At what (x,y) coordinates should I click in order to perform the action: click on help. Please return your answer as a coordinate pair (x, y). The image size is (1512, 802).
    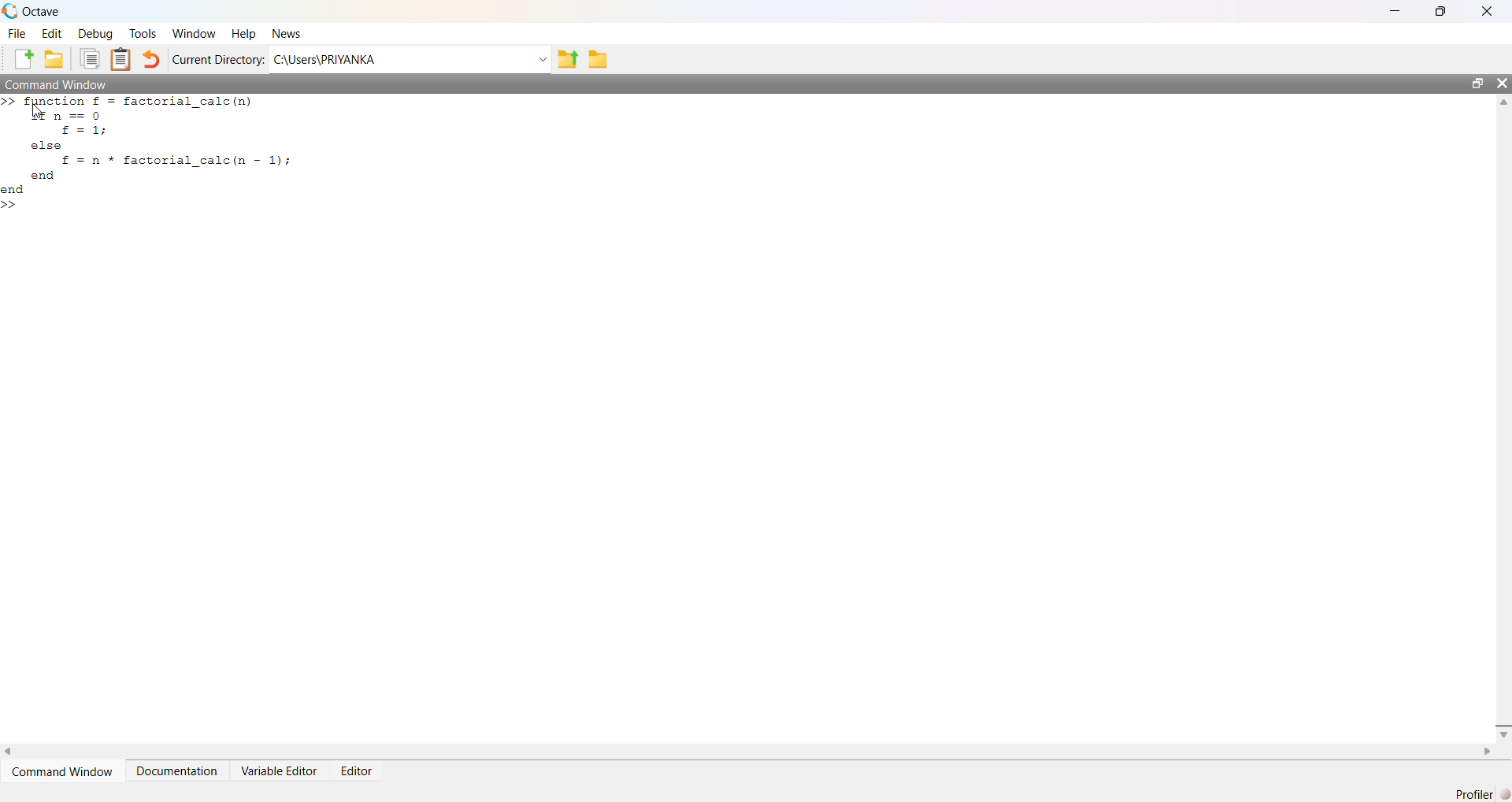
    Looking at the image, I should click on (246, 35).